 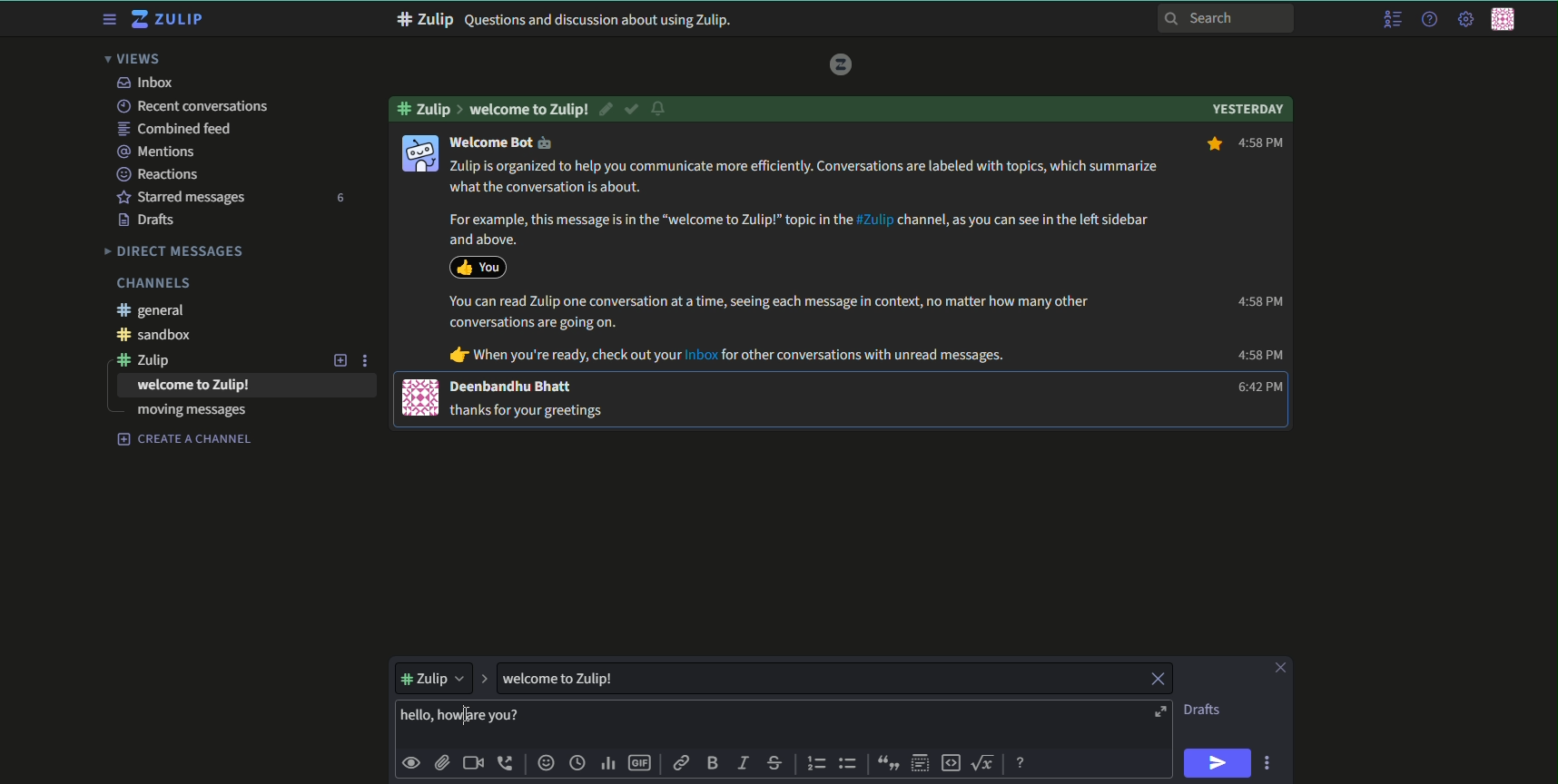 What do you see at coordinates (507, 763) in the screenshot?
I see `add voice call` at bounding box center [507, 763].